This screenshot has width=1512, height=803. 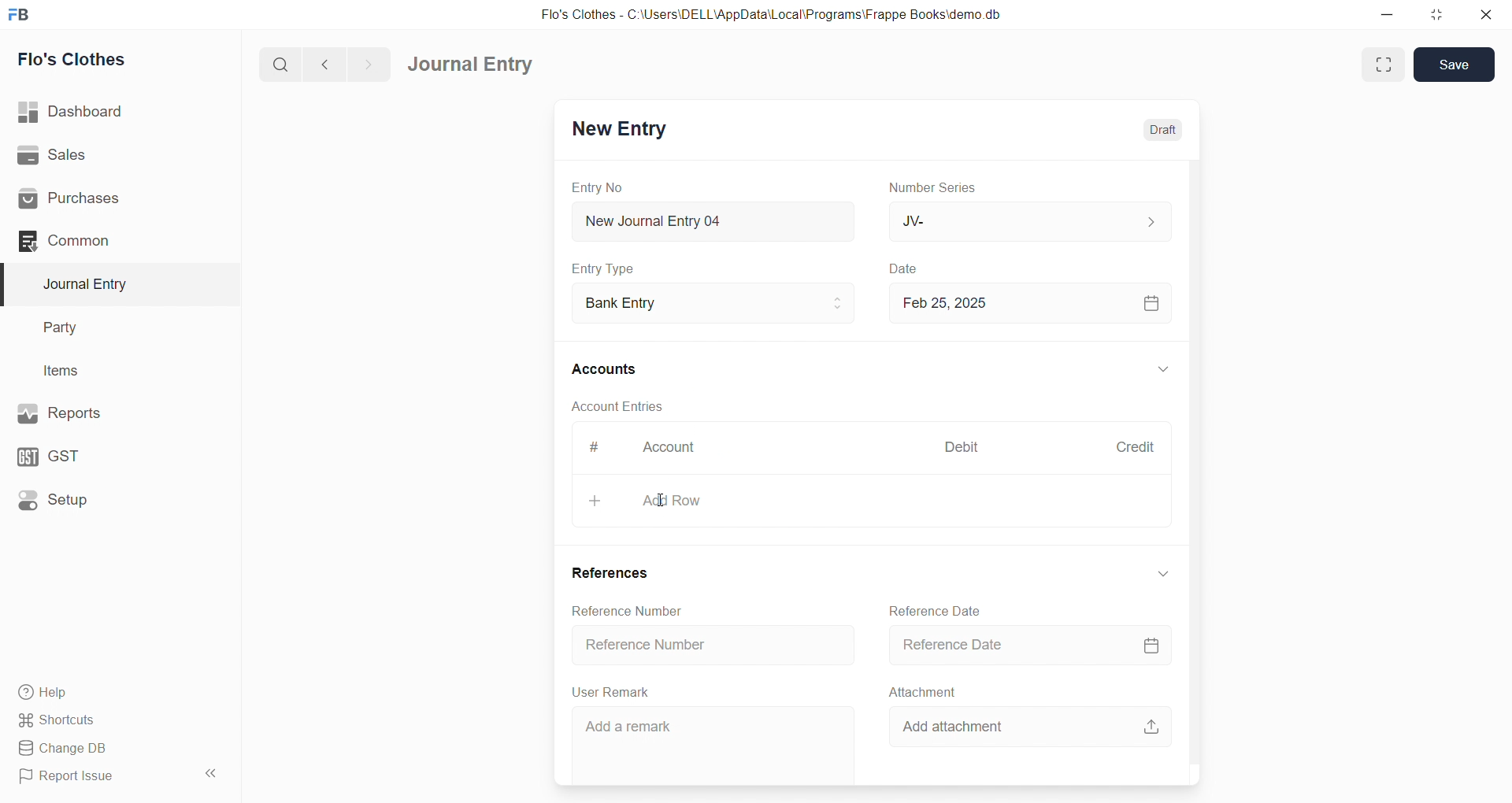 What do you see at coordinates (962, 449) in the screenshot?
I see `Debit` at bounding box center [962, 449].